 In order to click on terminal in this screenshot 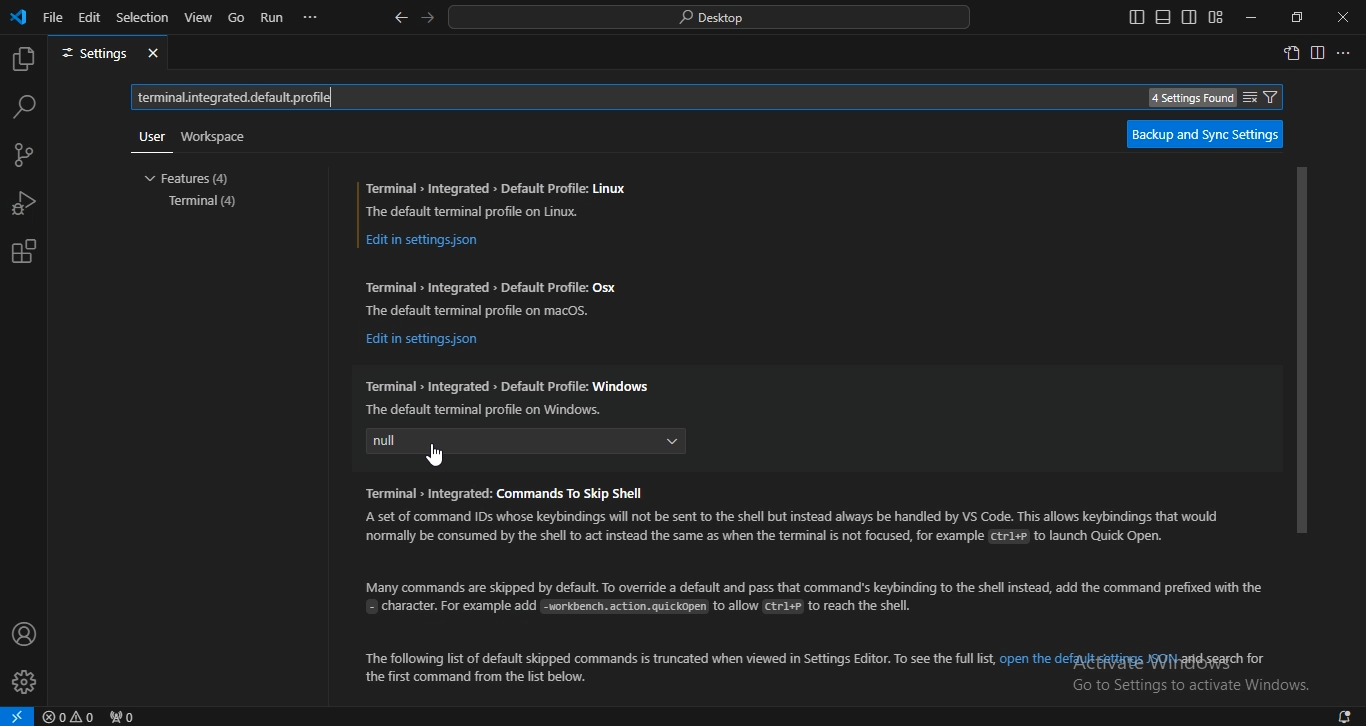, I will do `click(207, 201)`.